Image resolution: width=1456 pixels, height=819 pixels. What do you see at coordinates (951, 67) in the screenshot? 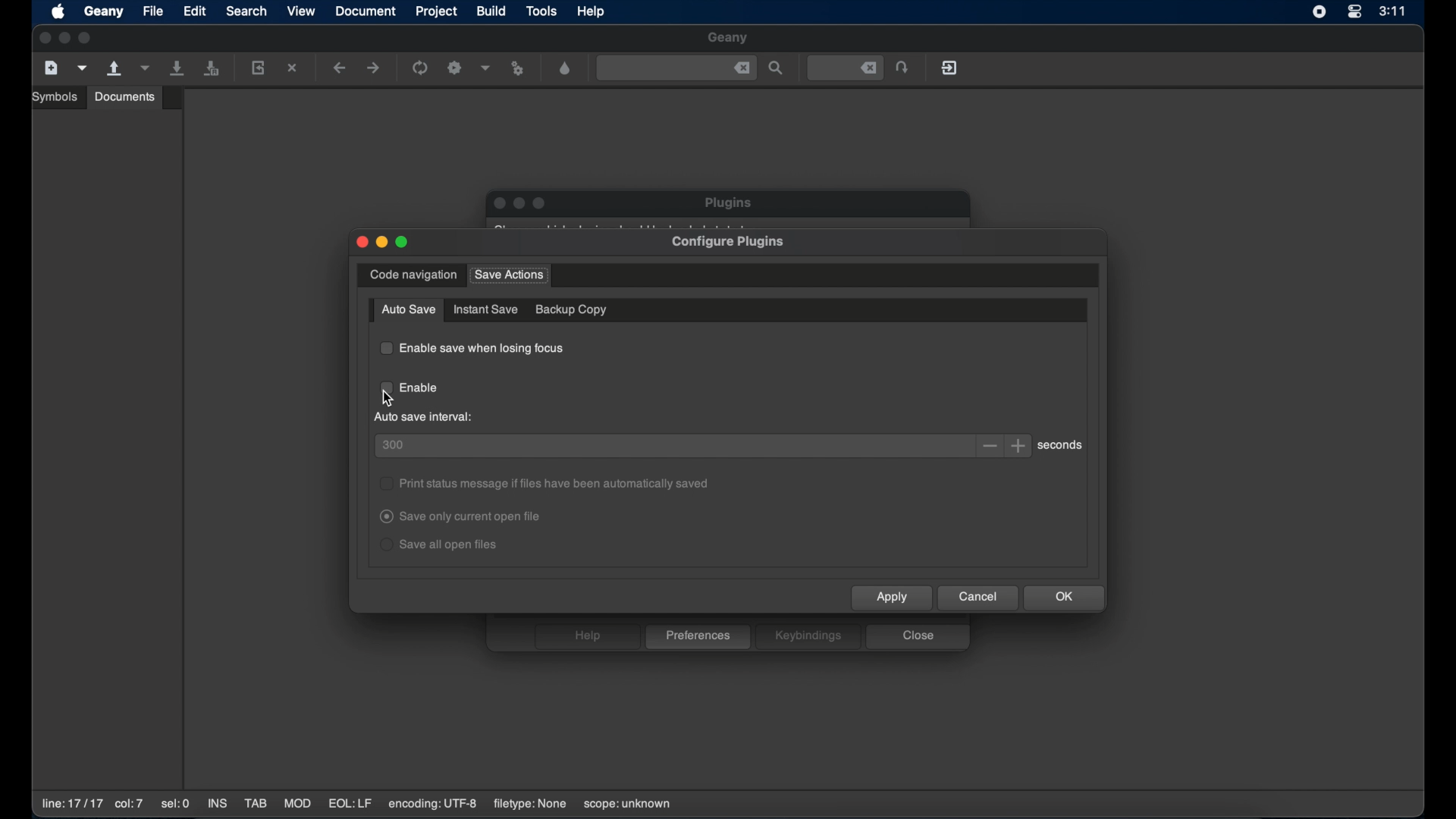
I see `quit geany` at bounding box center [951, 67].